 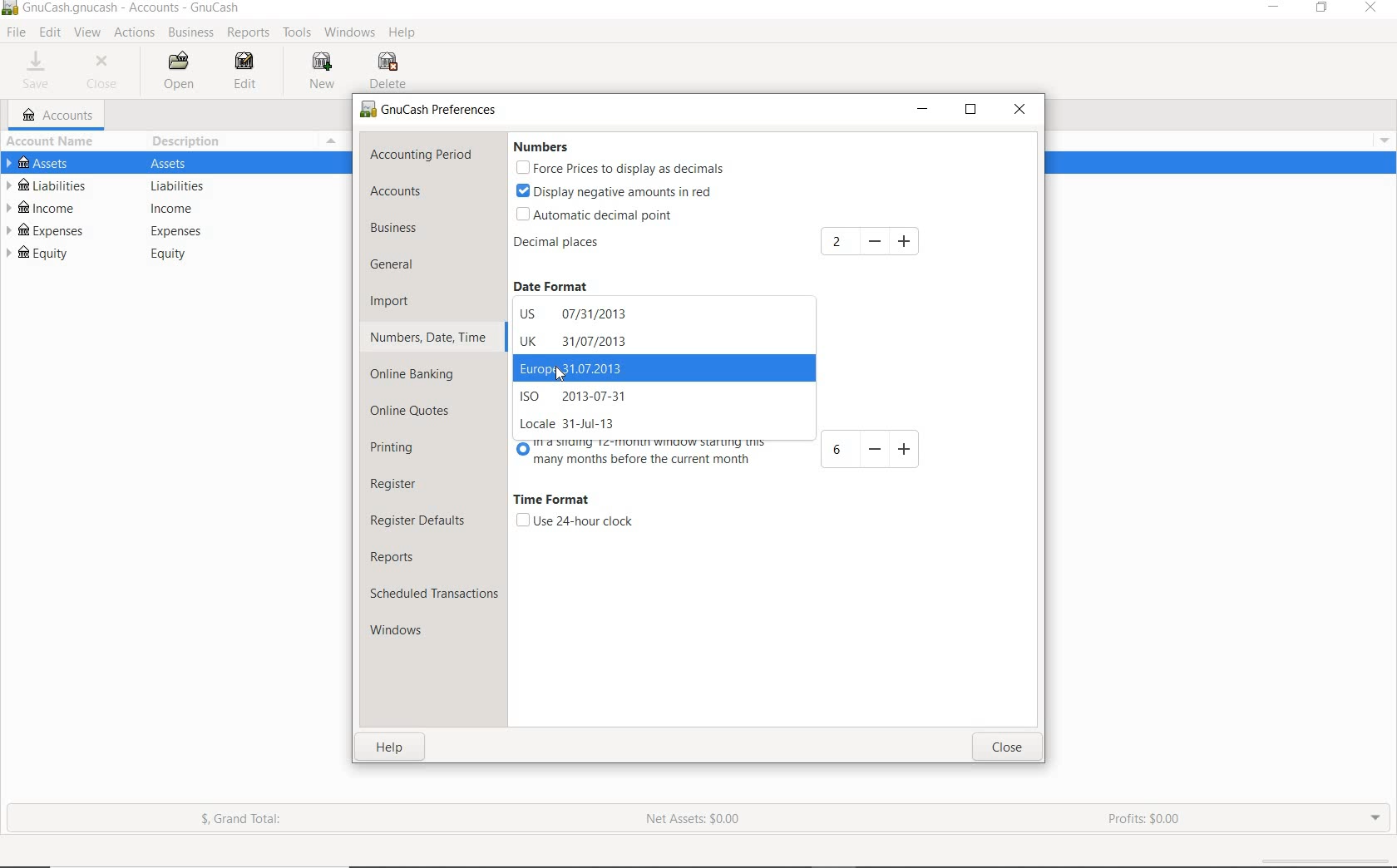 What do you see at coordinates (247, 72) in the screenshot?
I see `EDIT` at bounding box center [247, 72].